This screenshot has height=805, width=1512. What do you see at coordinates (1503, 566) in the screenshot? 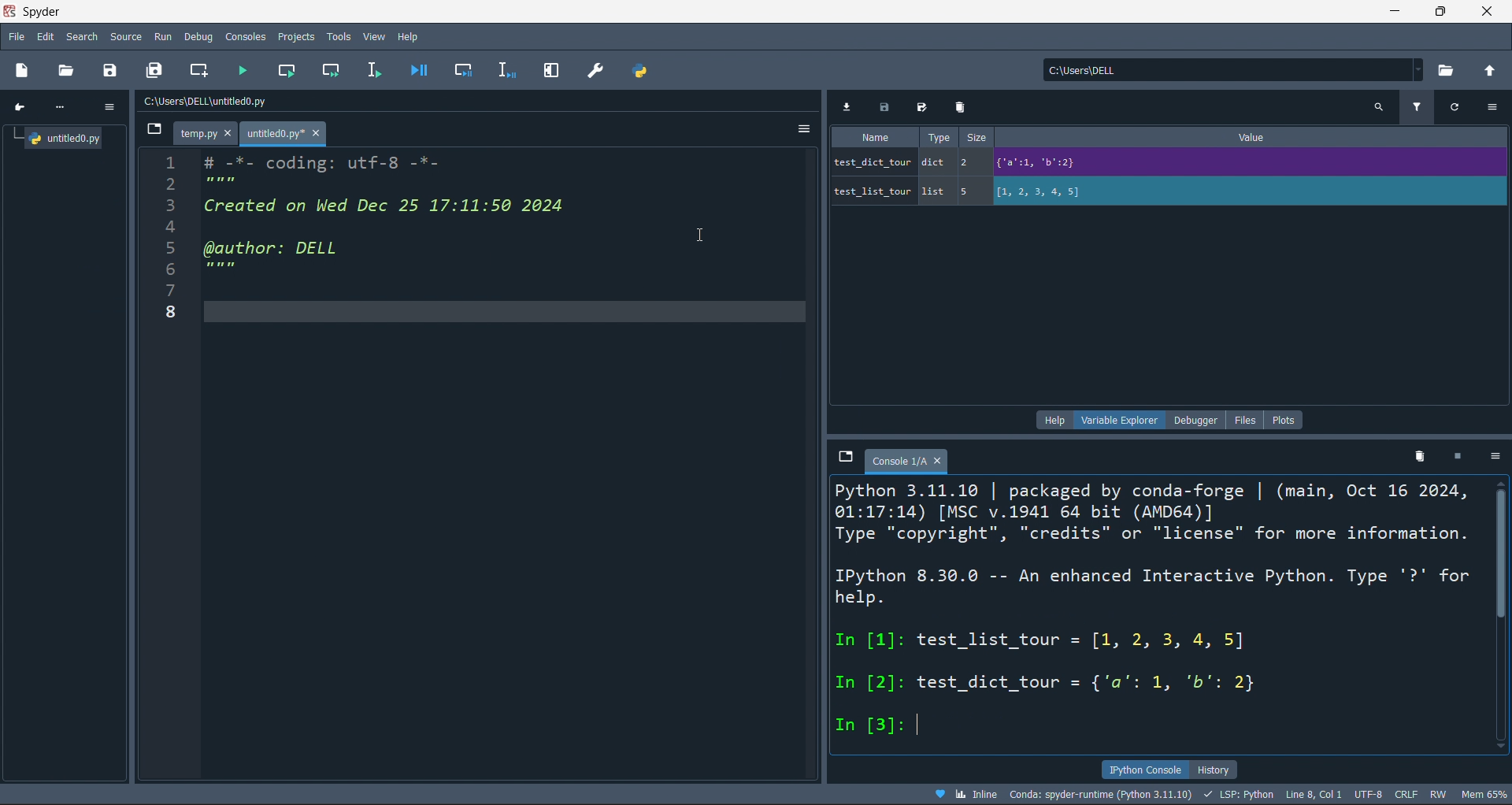
I see `vertical scroll bar` at bounding box center [1503, 566].